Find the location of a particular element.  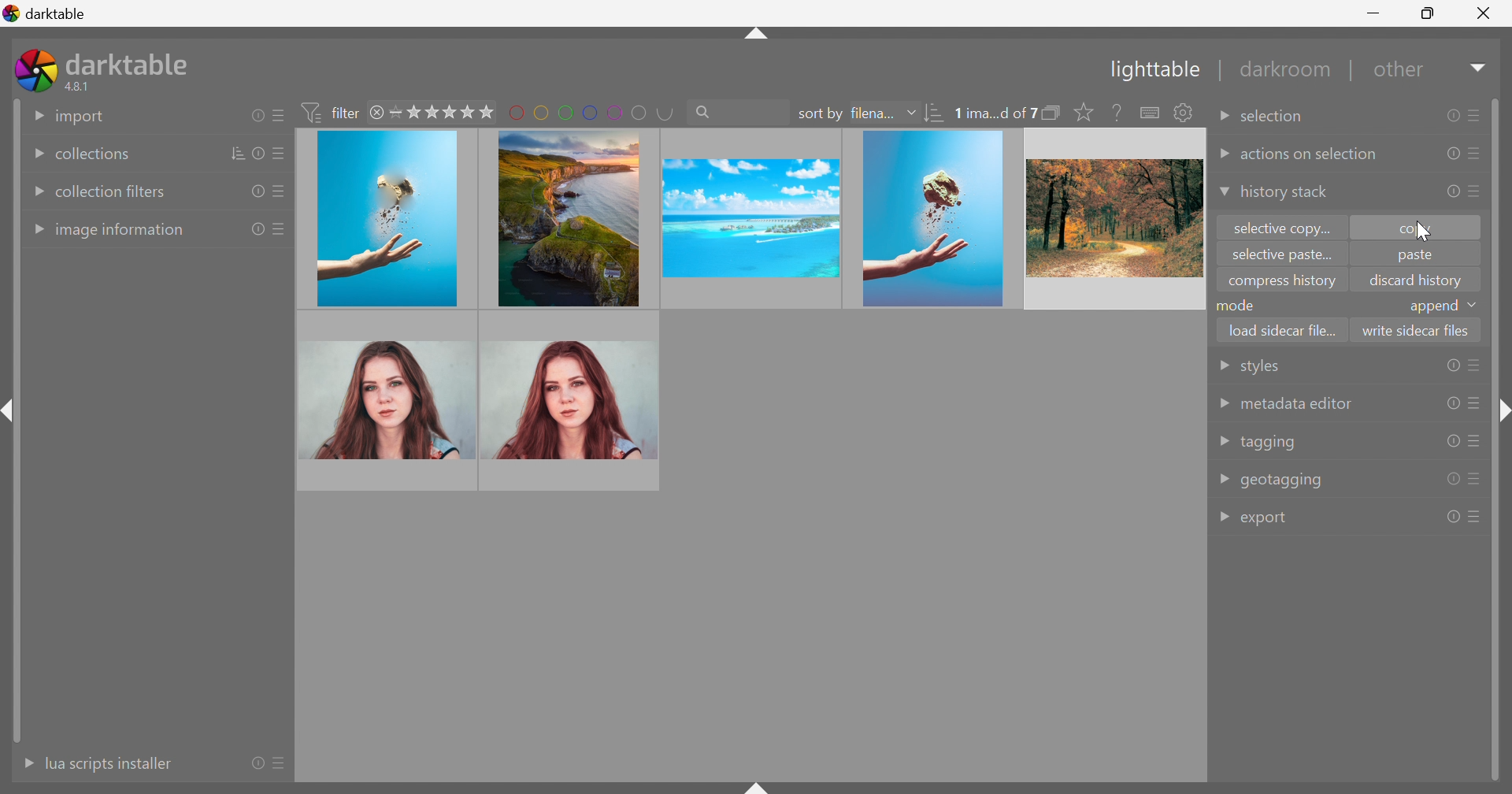

filter by images color label is located at coordinates (591, 111).